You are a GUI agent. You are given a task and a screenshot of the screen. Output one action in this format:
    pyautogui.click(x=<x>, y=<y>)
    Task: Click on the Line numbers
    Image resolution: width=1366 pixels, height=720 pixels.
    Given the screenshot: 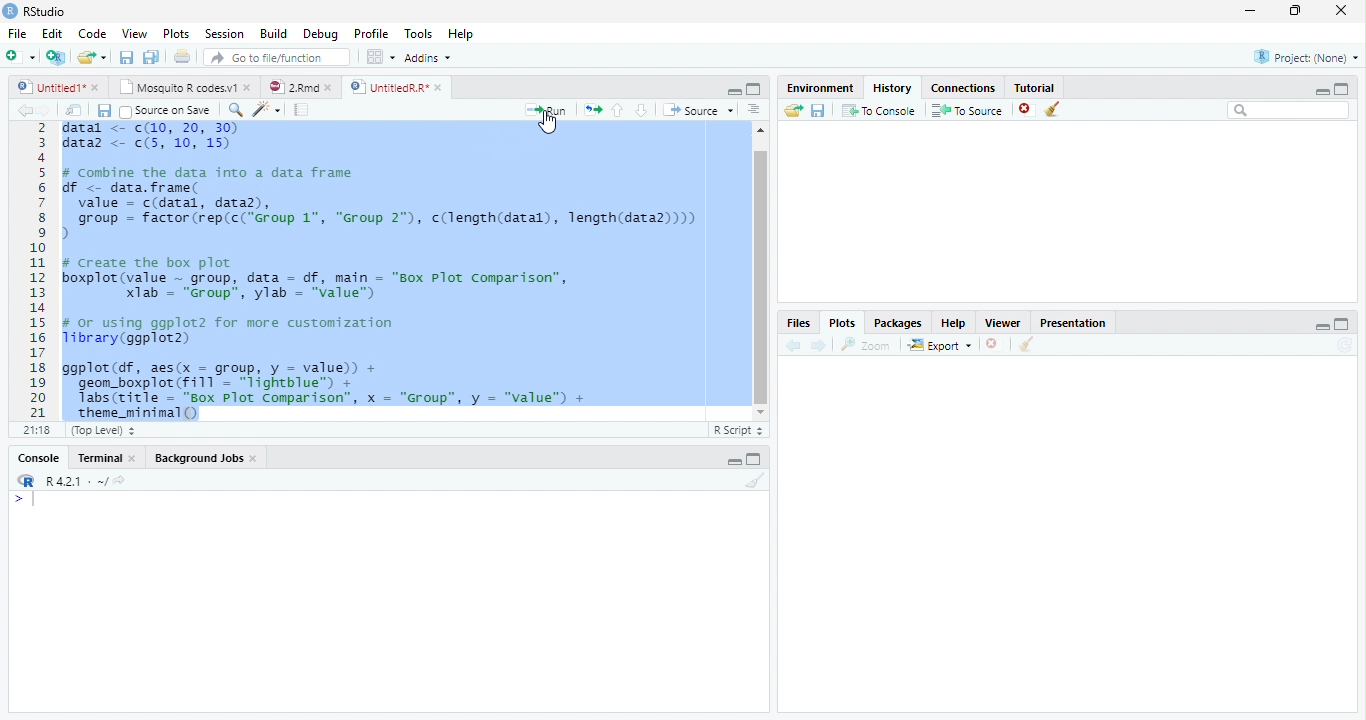 What is the action you would take?
    pyautogui.click(x=36, y=271)
    